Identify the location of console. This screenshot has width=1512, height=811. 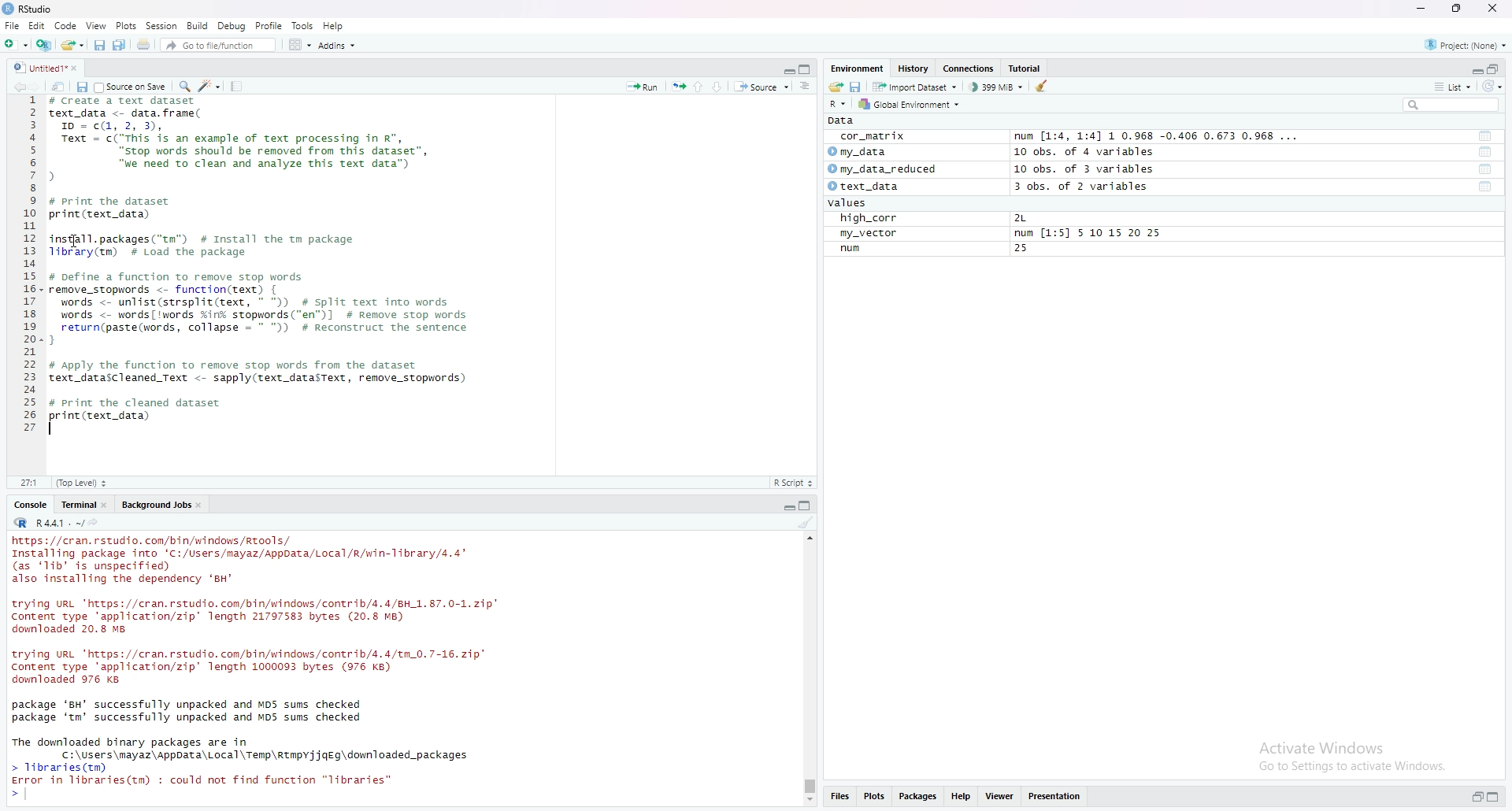
(32, 505).